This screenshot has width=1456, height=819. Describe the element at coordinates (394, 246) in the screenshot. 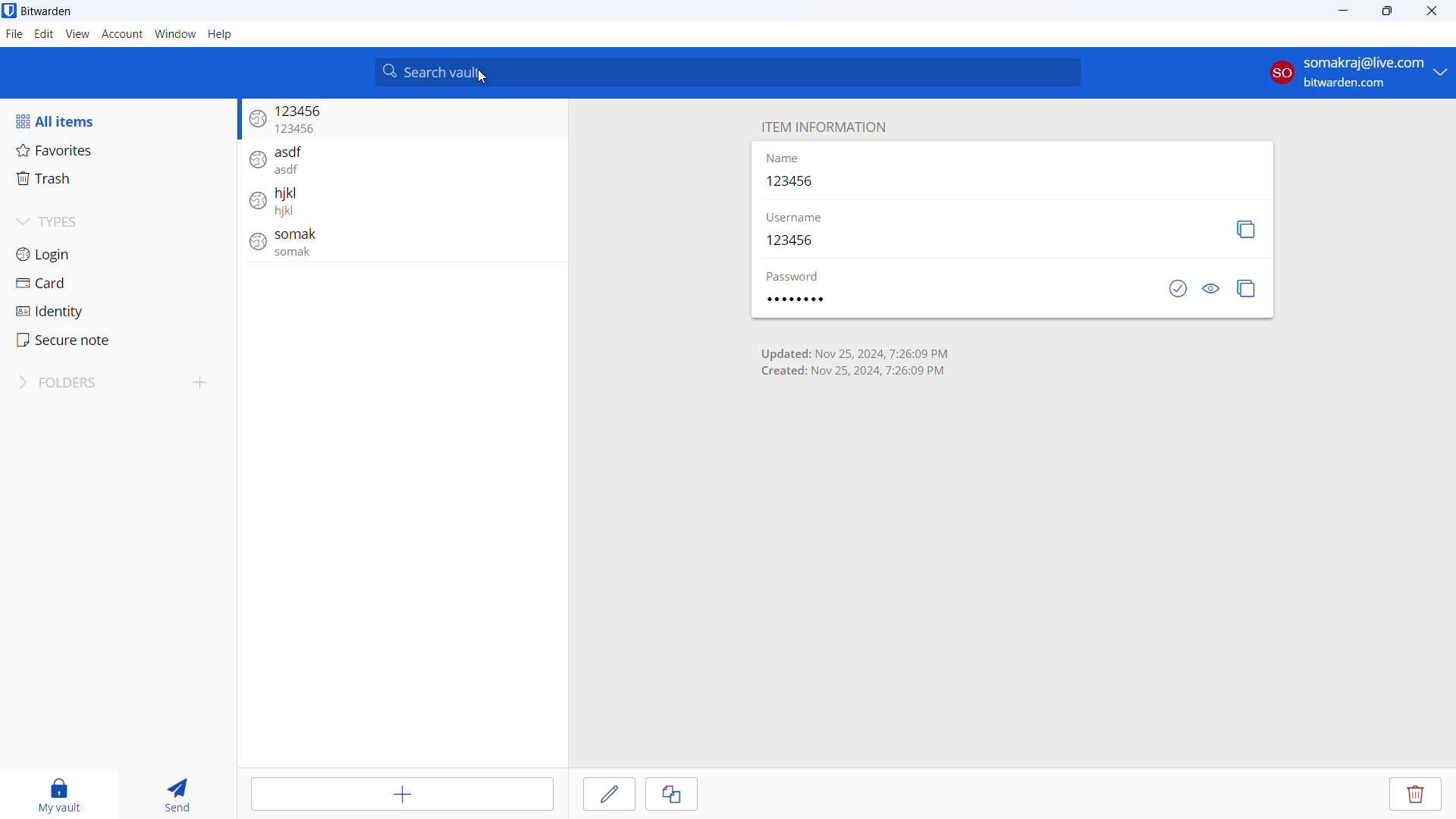

I see `login entry: somak` at that location.